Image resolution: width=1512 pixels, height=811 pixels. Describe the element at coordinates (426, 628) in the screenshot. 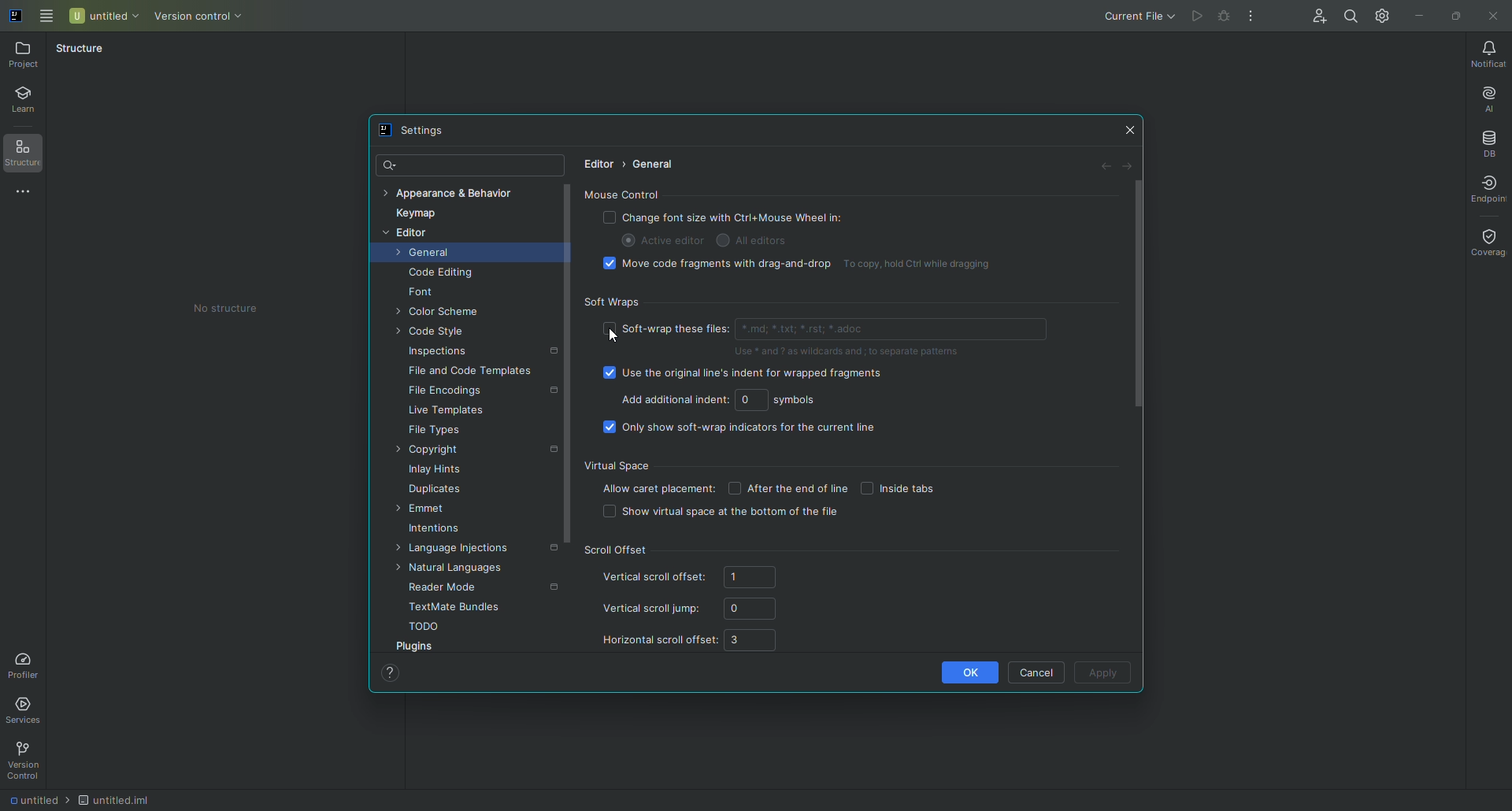

I see `TODO` at that location.